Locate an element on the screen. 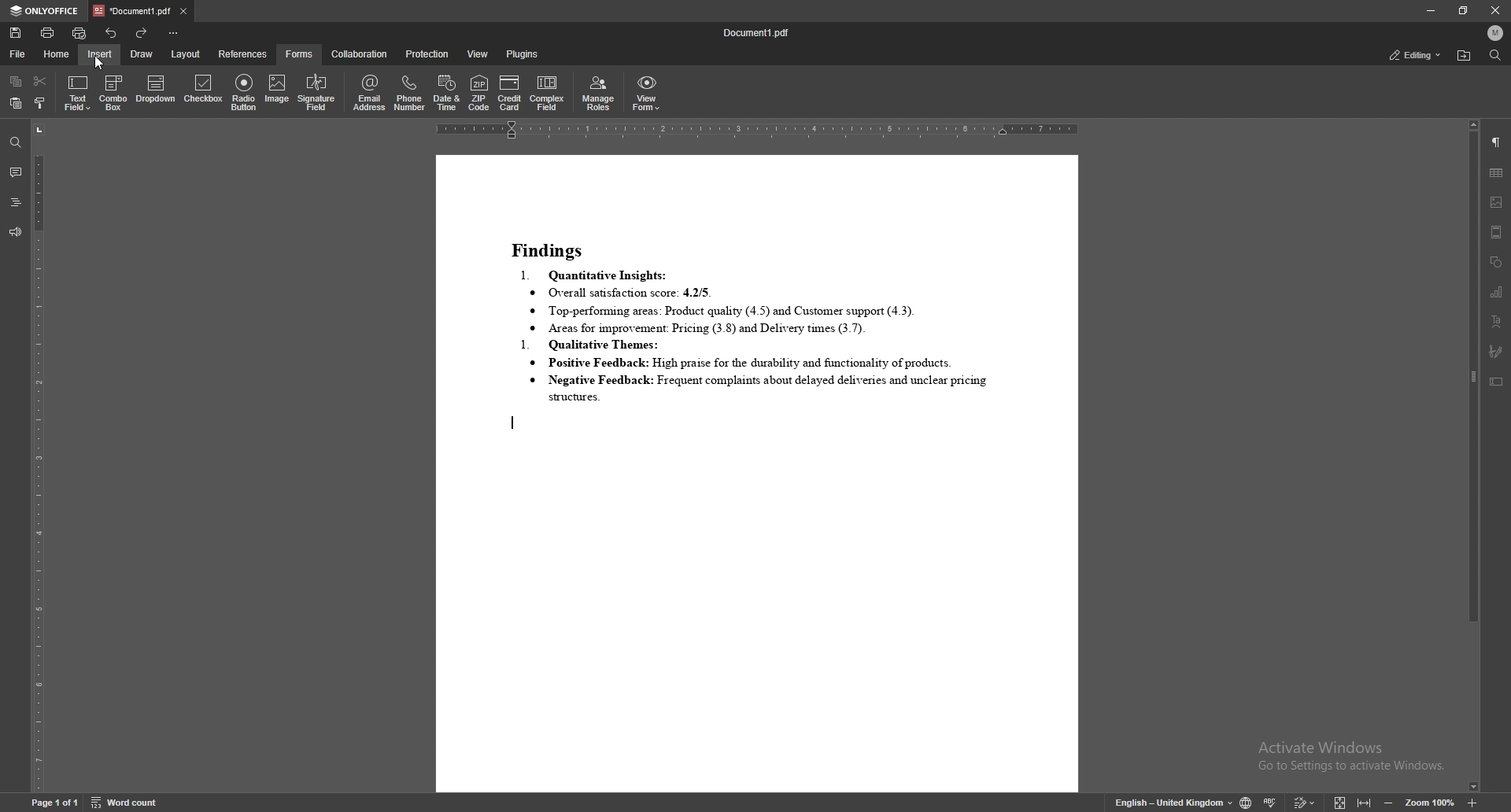 The width and height of the screenshot is (1511, 812). onlyoffice is located at coordinates (46, 11).